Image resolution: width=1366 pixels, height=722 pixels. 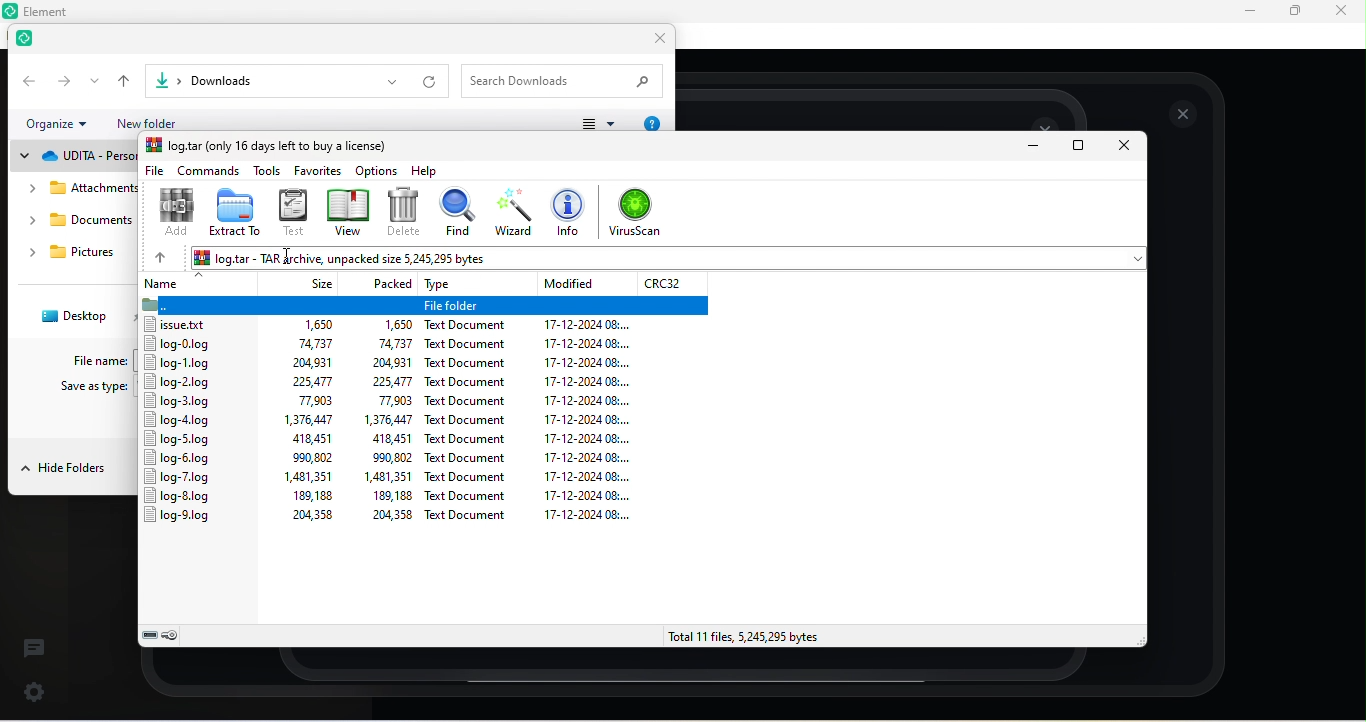 I want to click on 204,358, so click(x=388, y=514).